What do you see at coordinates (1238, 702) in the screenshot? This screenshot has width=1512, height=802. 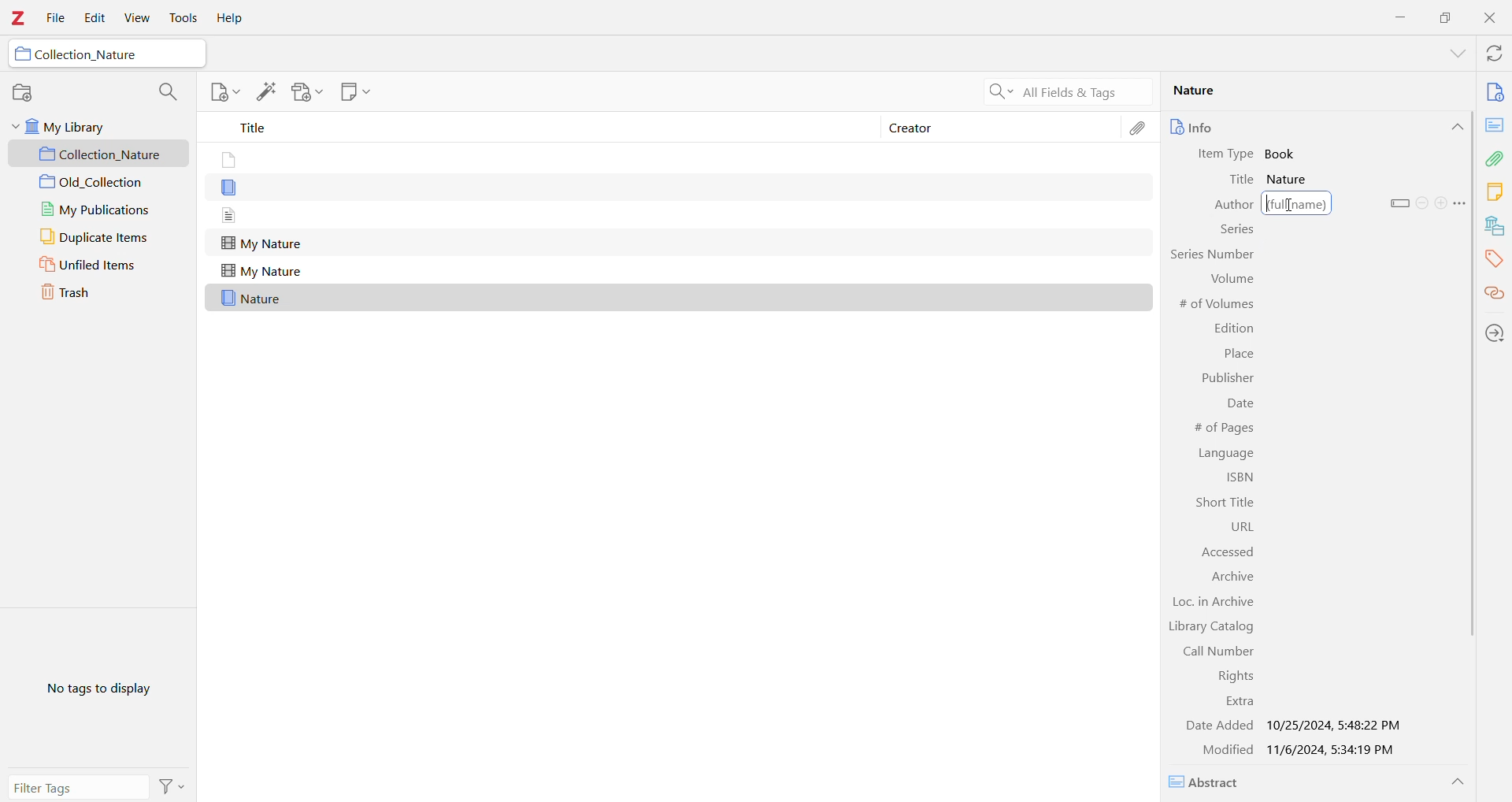 I see `Extra` at bounding box center [1238, 702].